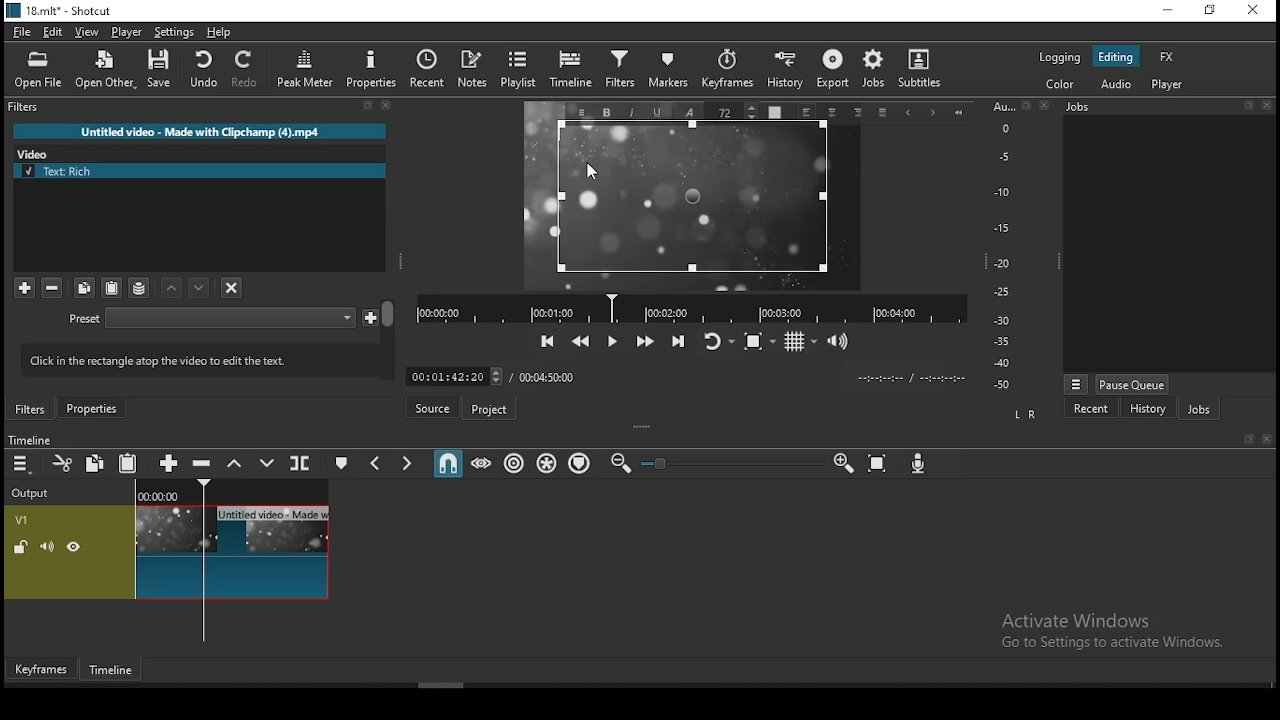 Image resolution: width=1280 pixels, height=720 pixels. I want to click on Video, so click(38, 152).